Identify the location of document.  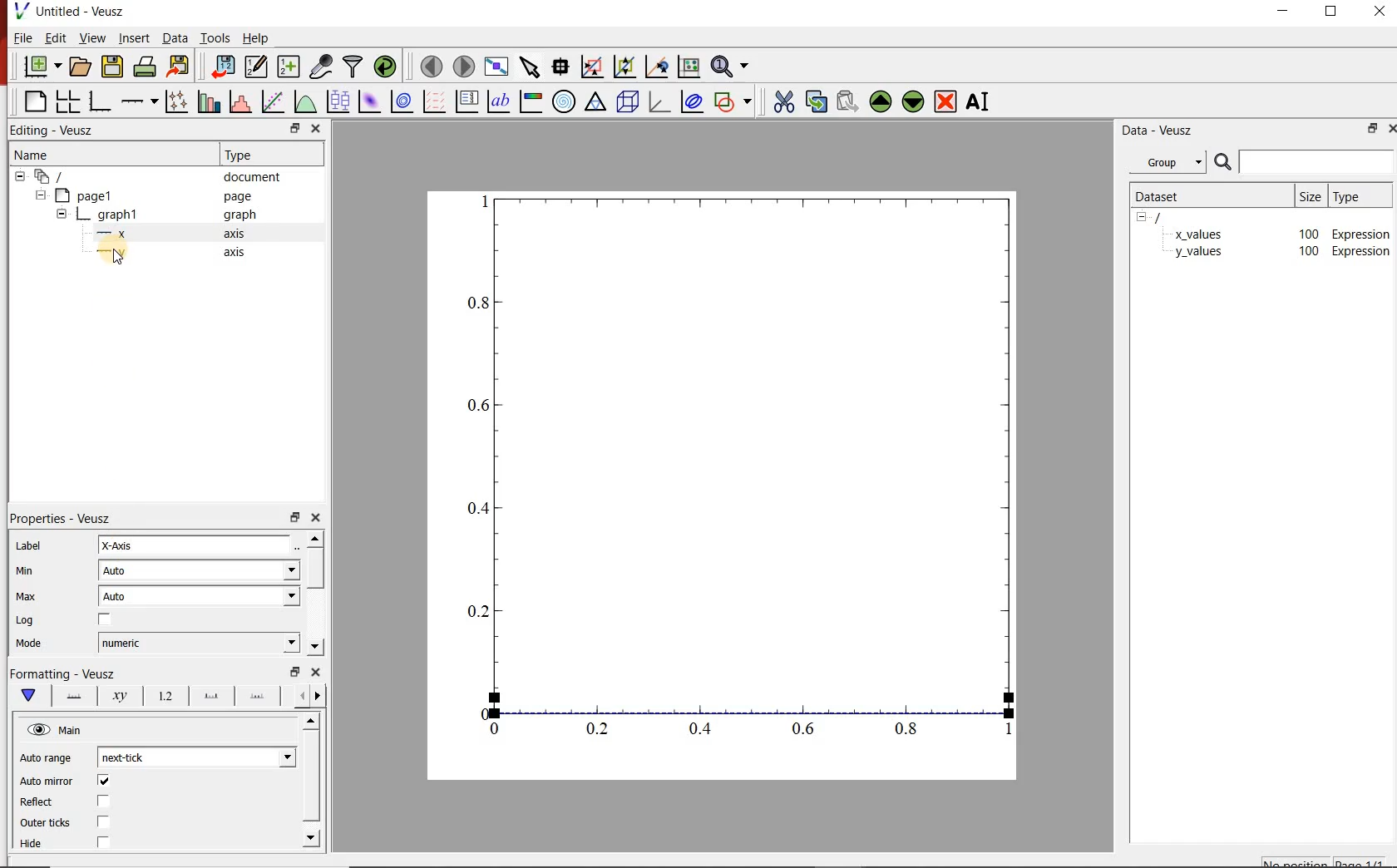
(250, 177).